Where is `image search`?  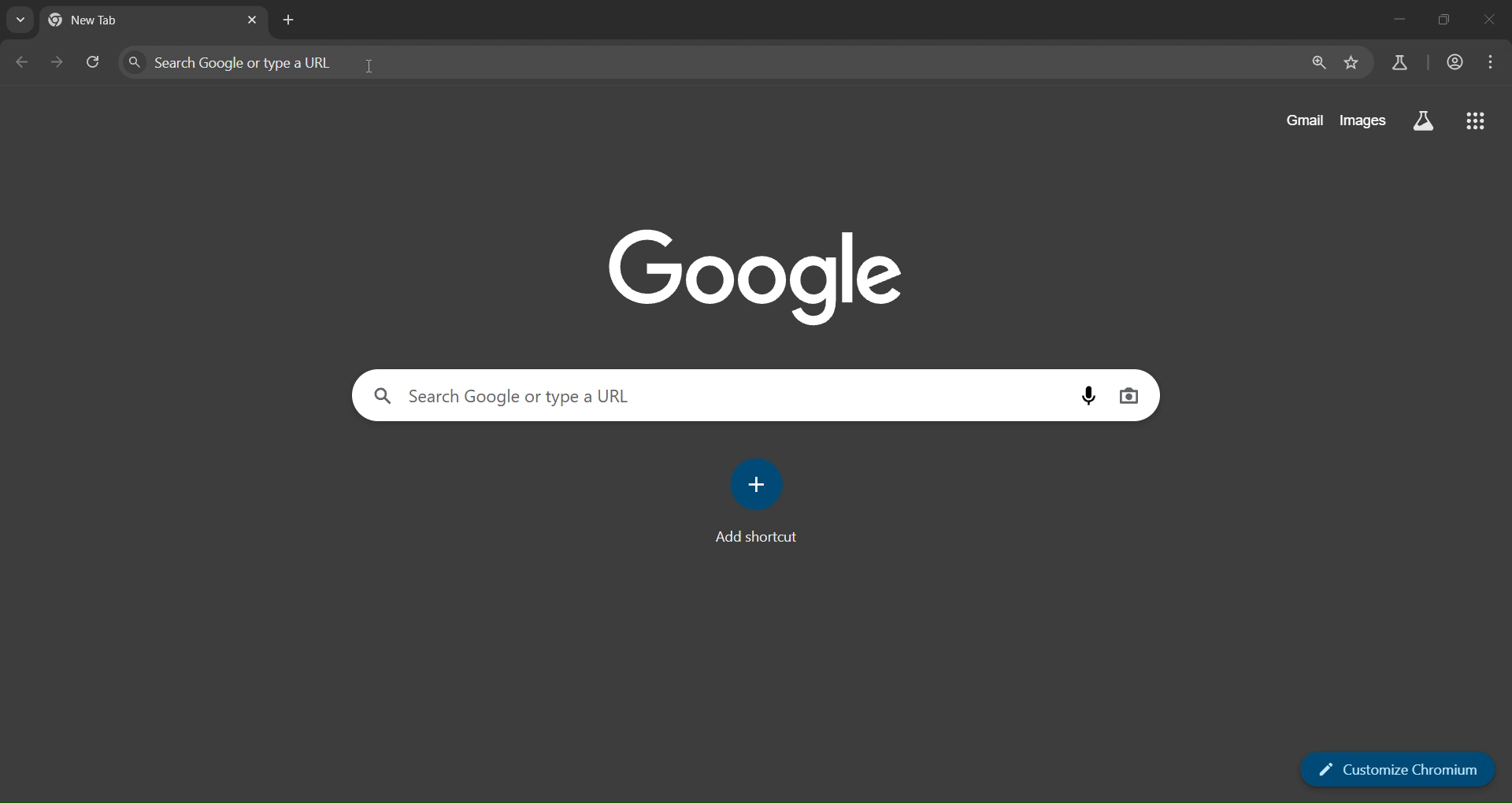 image search is located at coordinates (1132, 394).